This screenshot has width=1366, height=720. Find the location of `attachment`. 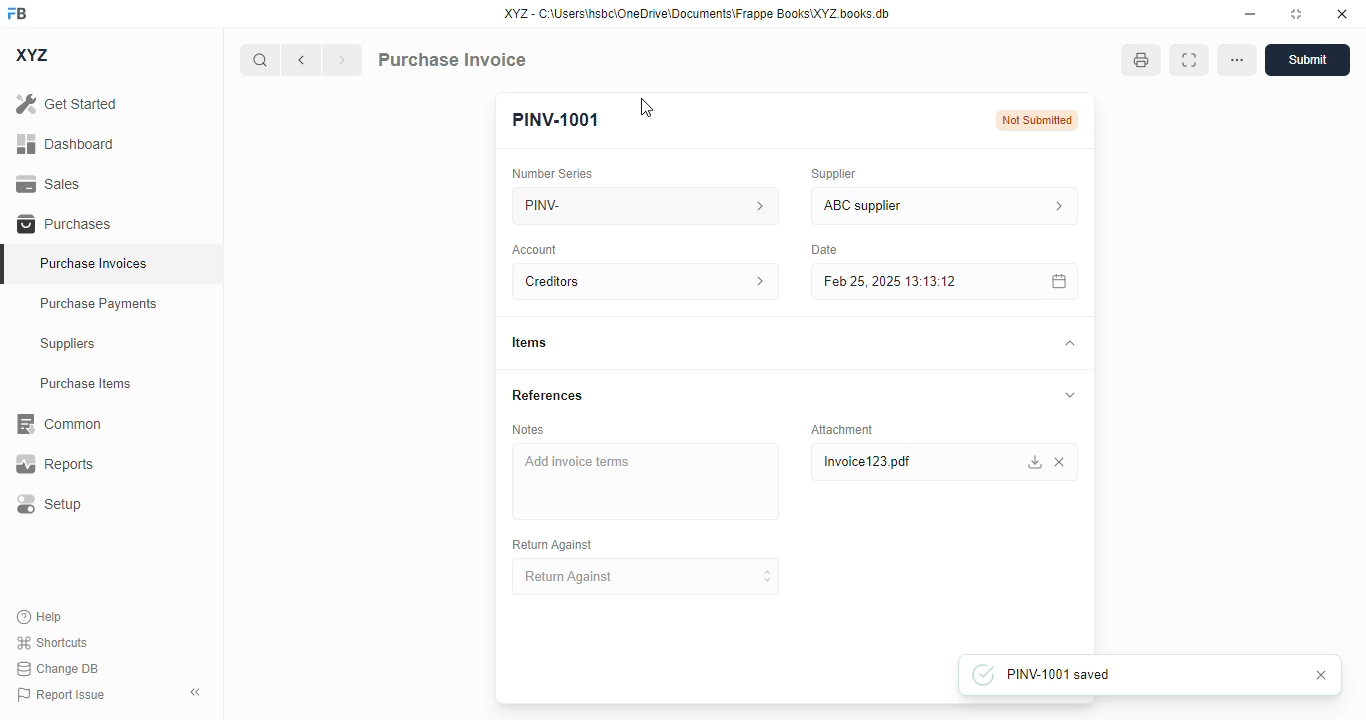

attachment is located at coordinates (842, 429).